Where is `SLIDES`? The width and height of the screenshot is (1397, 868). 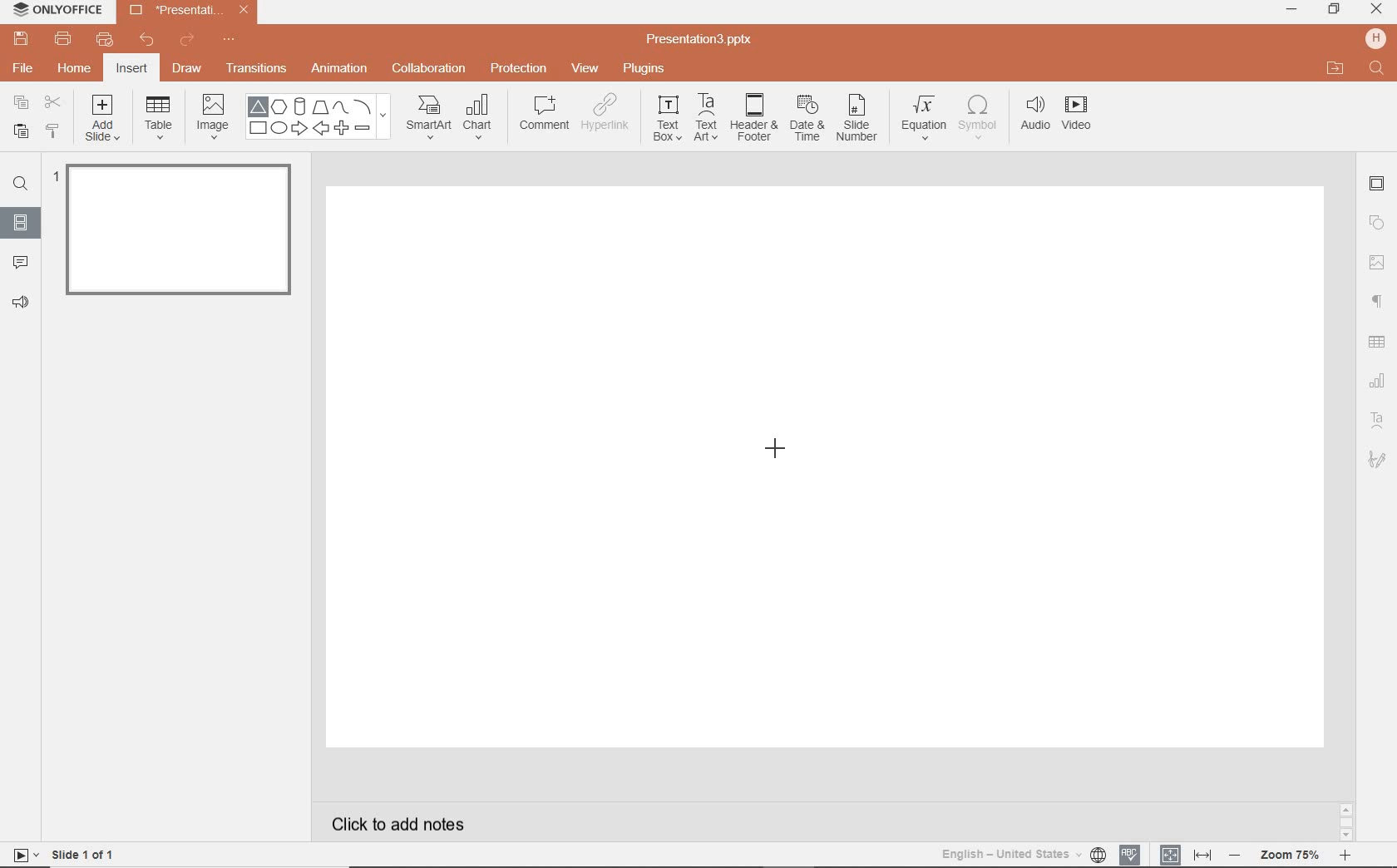 SLIDES is located at coordinates (22, 223).